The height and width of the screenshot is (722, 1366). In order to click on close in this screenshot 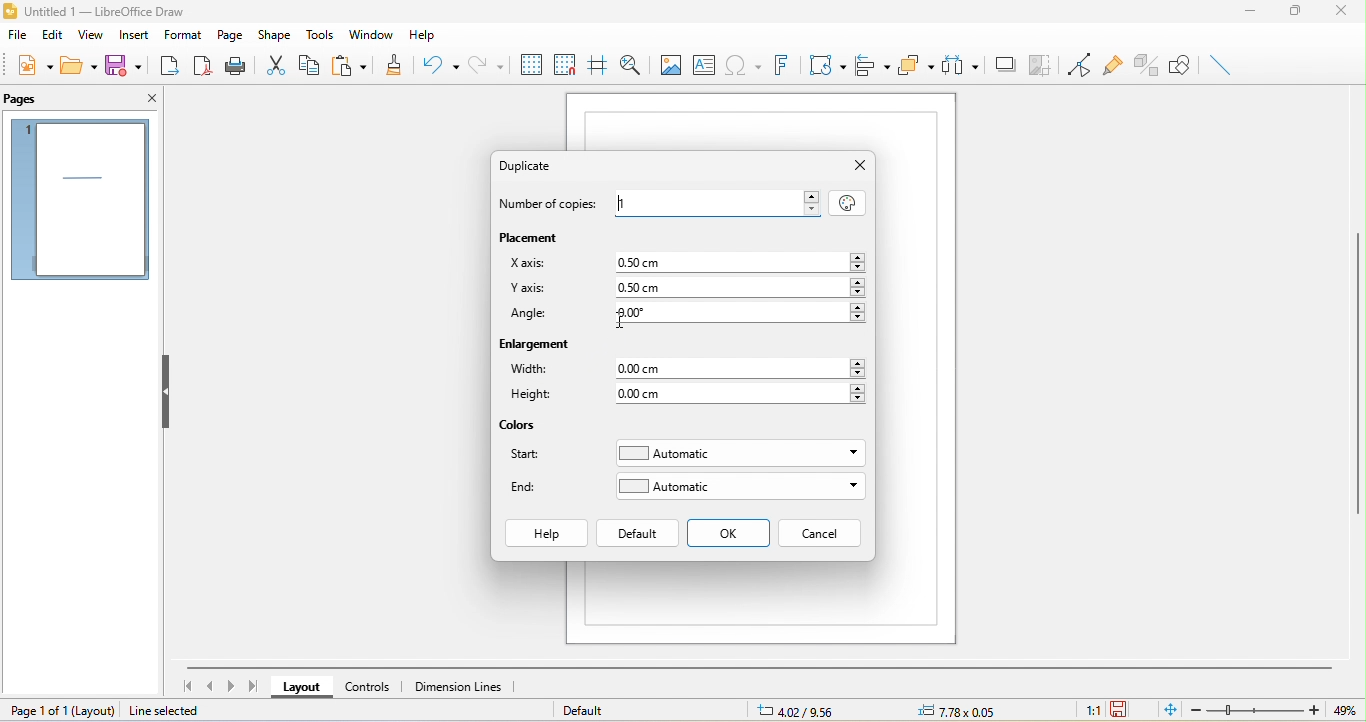, I will do `click(148, 101)`.